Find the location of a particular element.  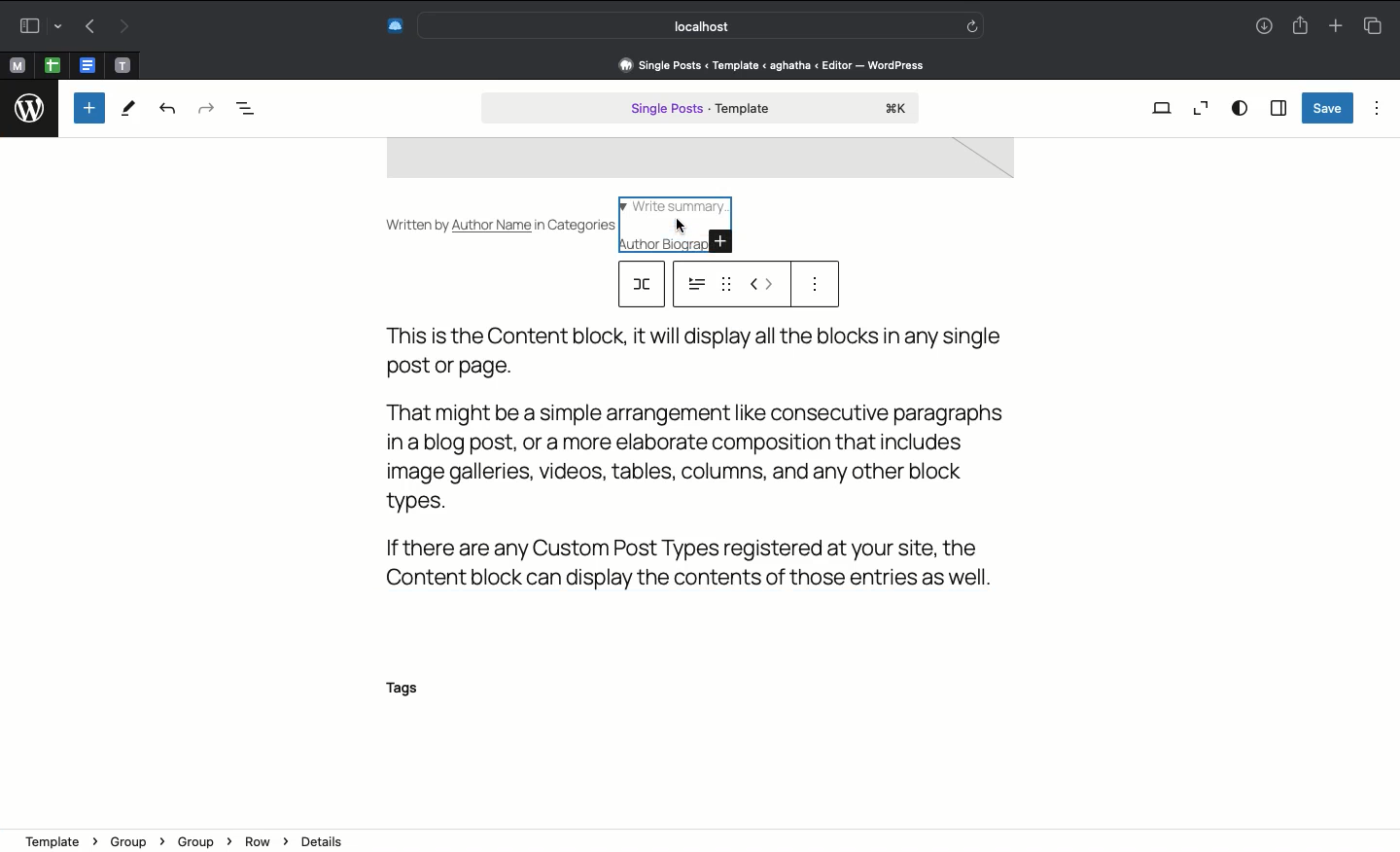

Add new block is located at coordinates (89, 108).